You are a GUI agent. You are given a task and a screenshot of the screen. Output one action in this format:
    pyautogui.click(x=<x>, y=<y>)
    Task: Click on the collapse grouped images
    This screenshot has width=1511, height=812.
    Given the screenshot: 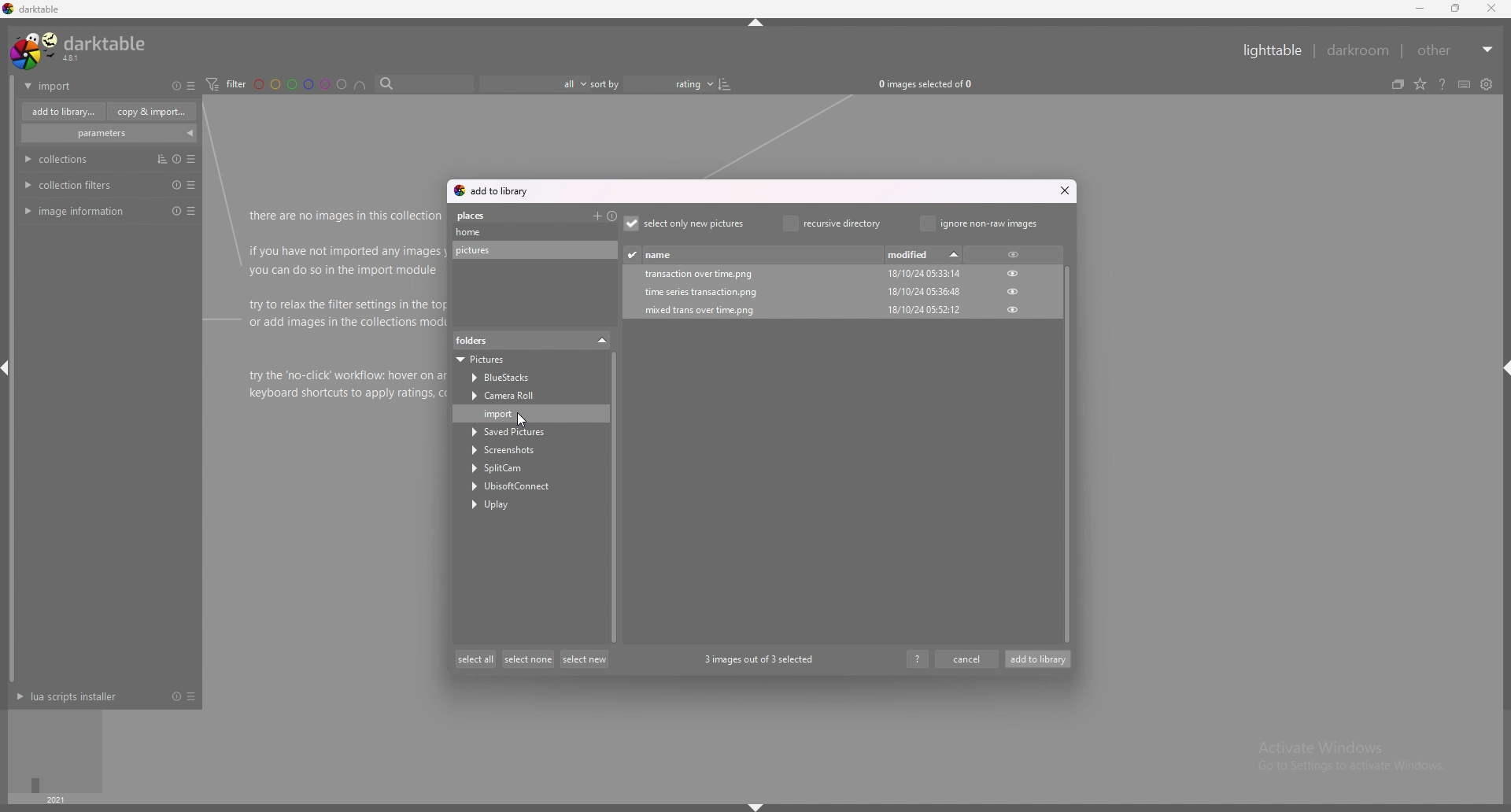 What is the action you would take?
    pyautogui.click(x=1398, y=84)
    